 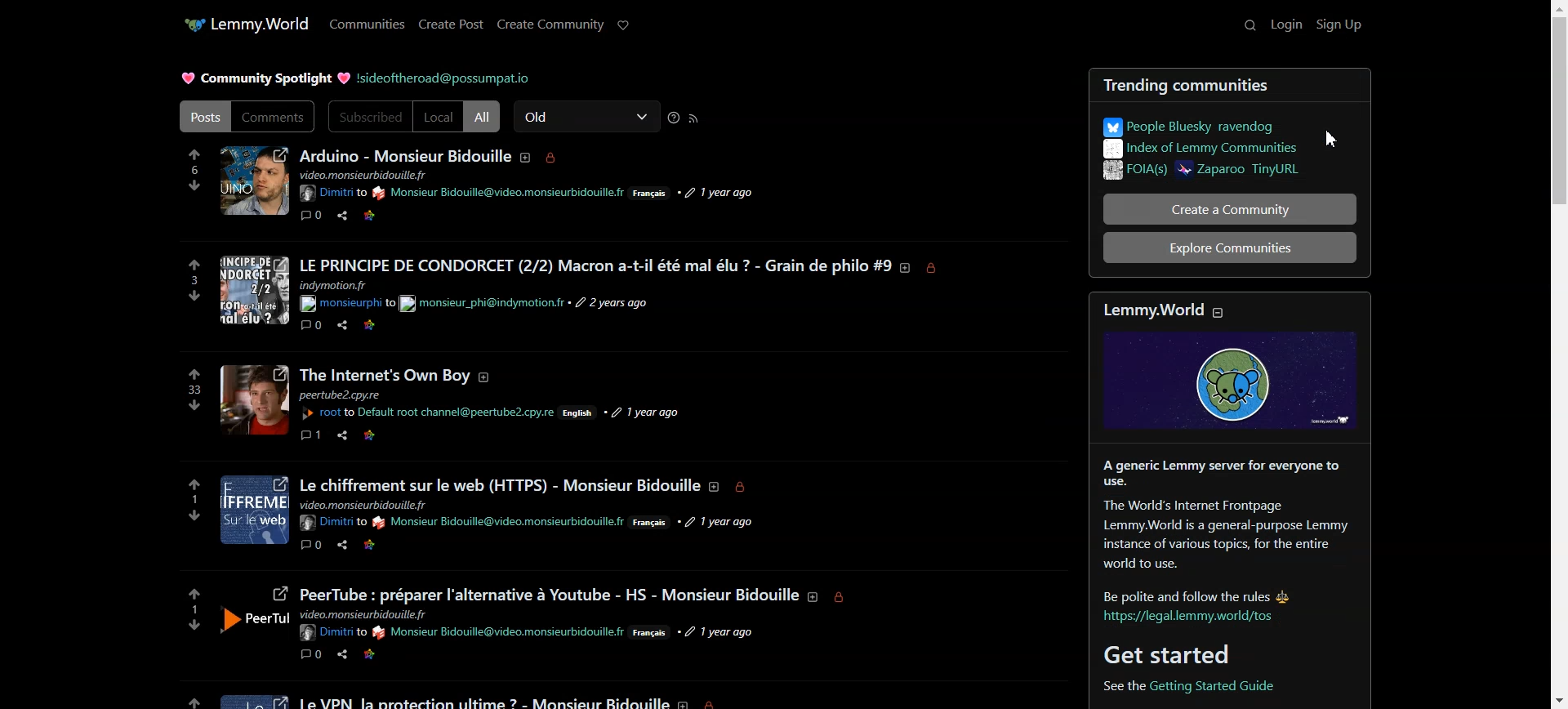 What do you see at coordinates (1192, 622) in the screenshot?
I see `hyperlink` at bounding box center [1192, 622].